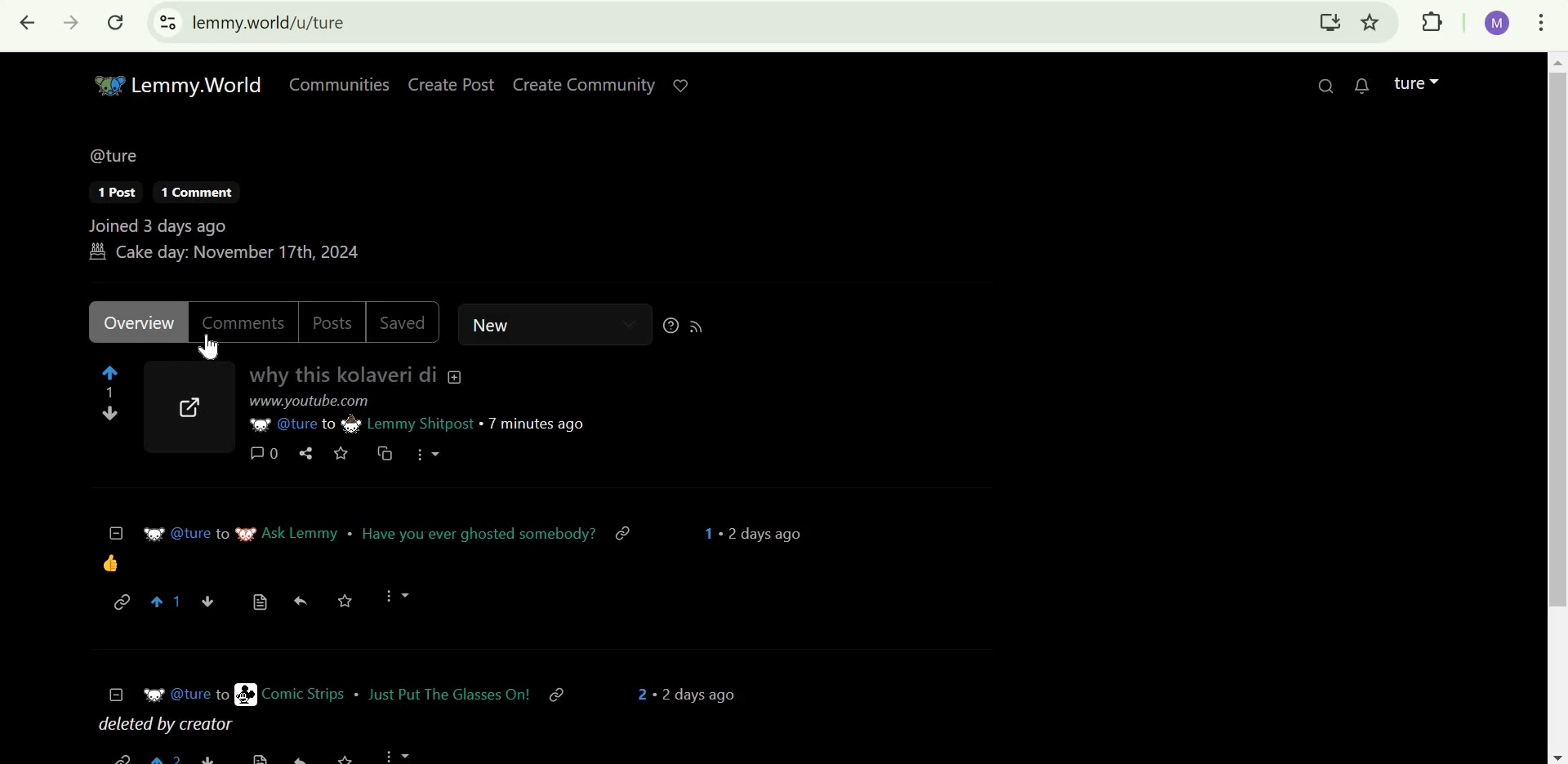  I want to click on lemmy.world, so click(270, 21).